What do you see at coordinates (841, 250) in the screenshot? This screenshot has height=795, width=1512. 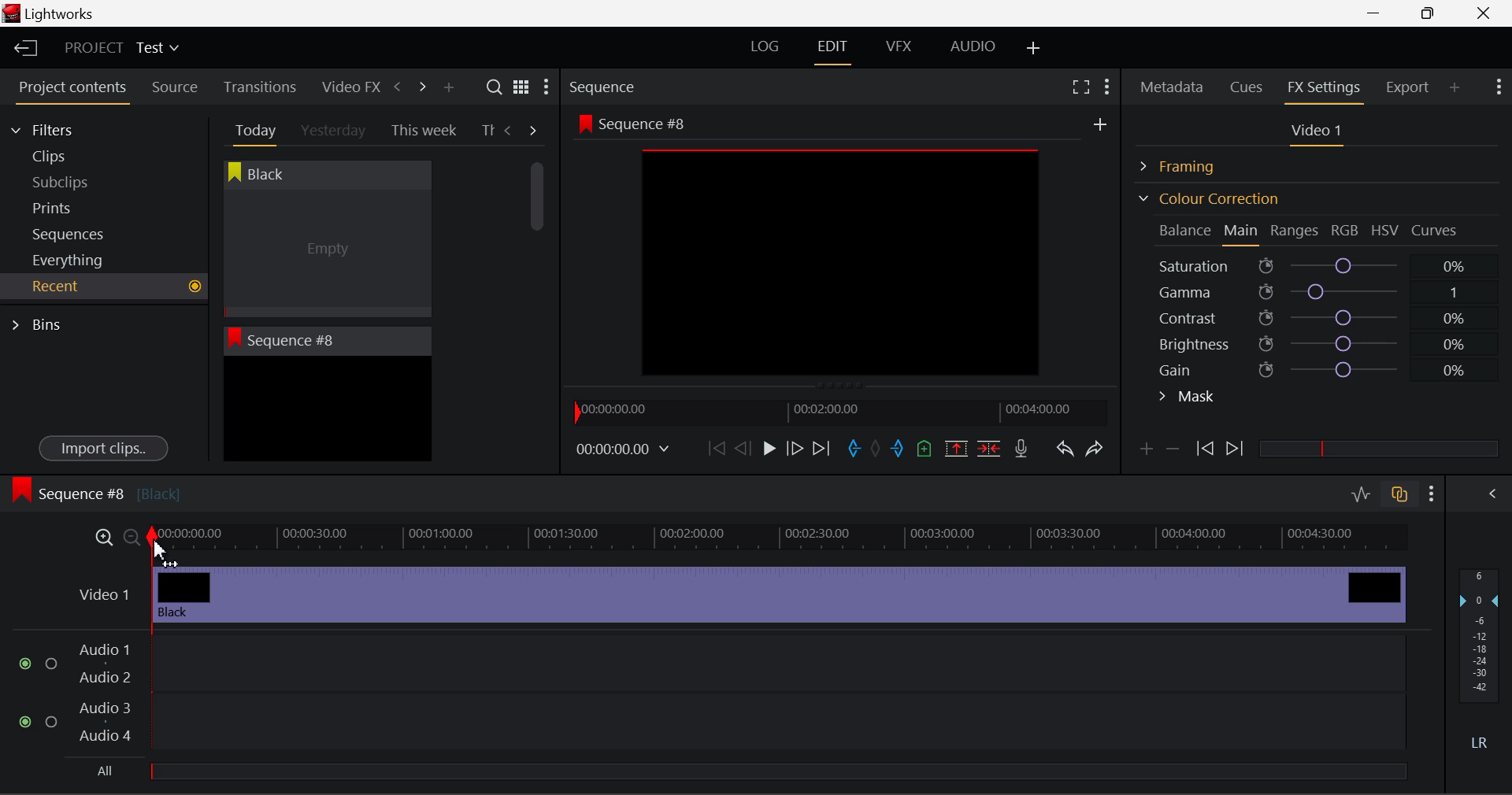 I see `Sequence #8 Preview Screen` at bounding box center [841, 250].